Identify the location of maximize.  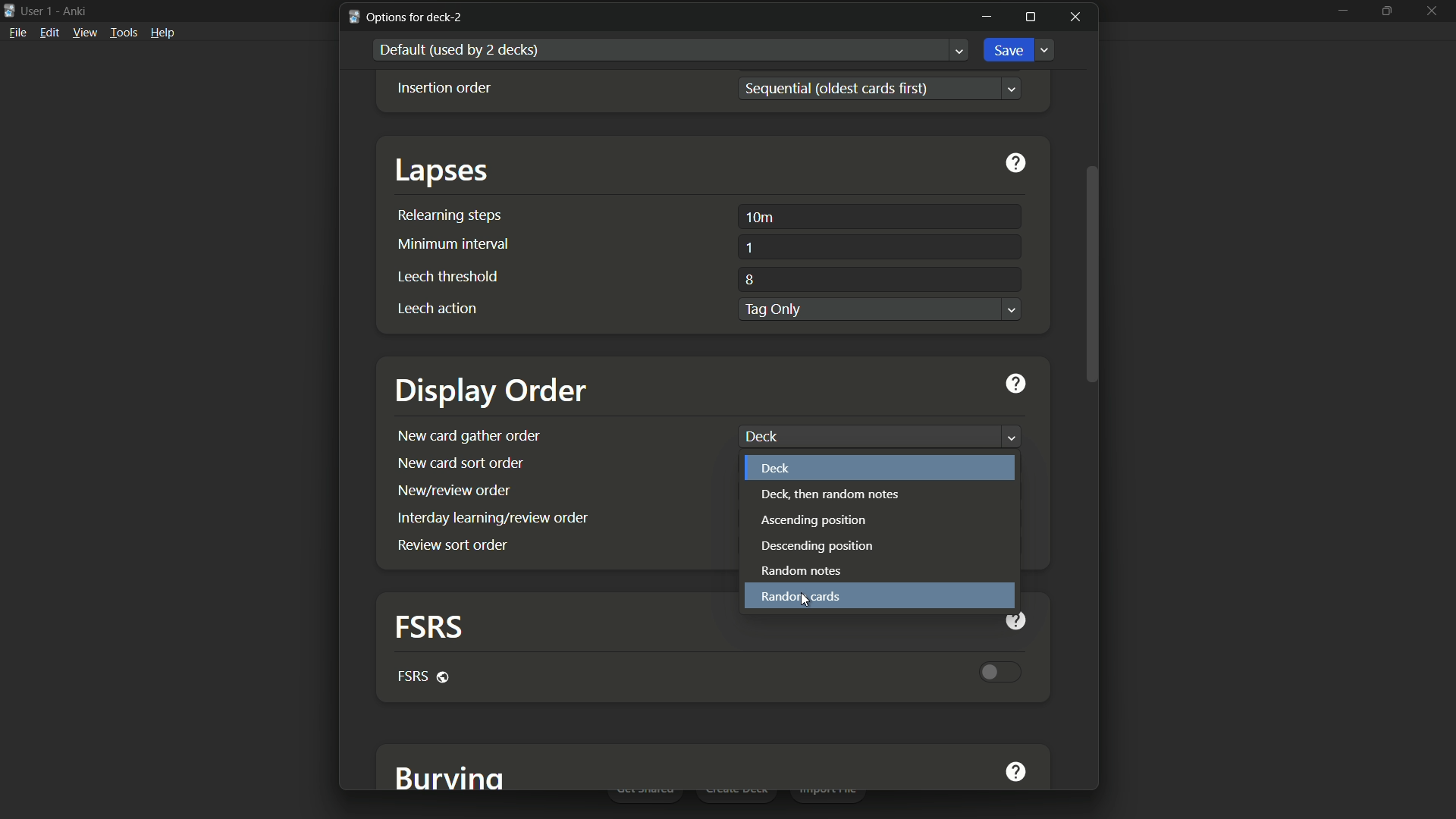
(1031, 18).